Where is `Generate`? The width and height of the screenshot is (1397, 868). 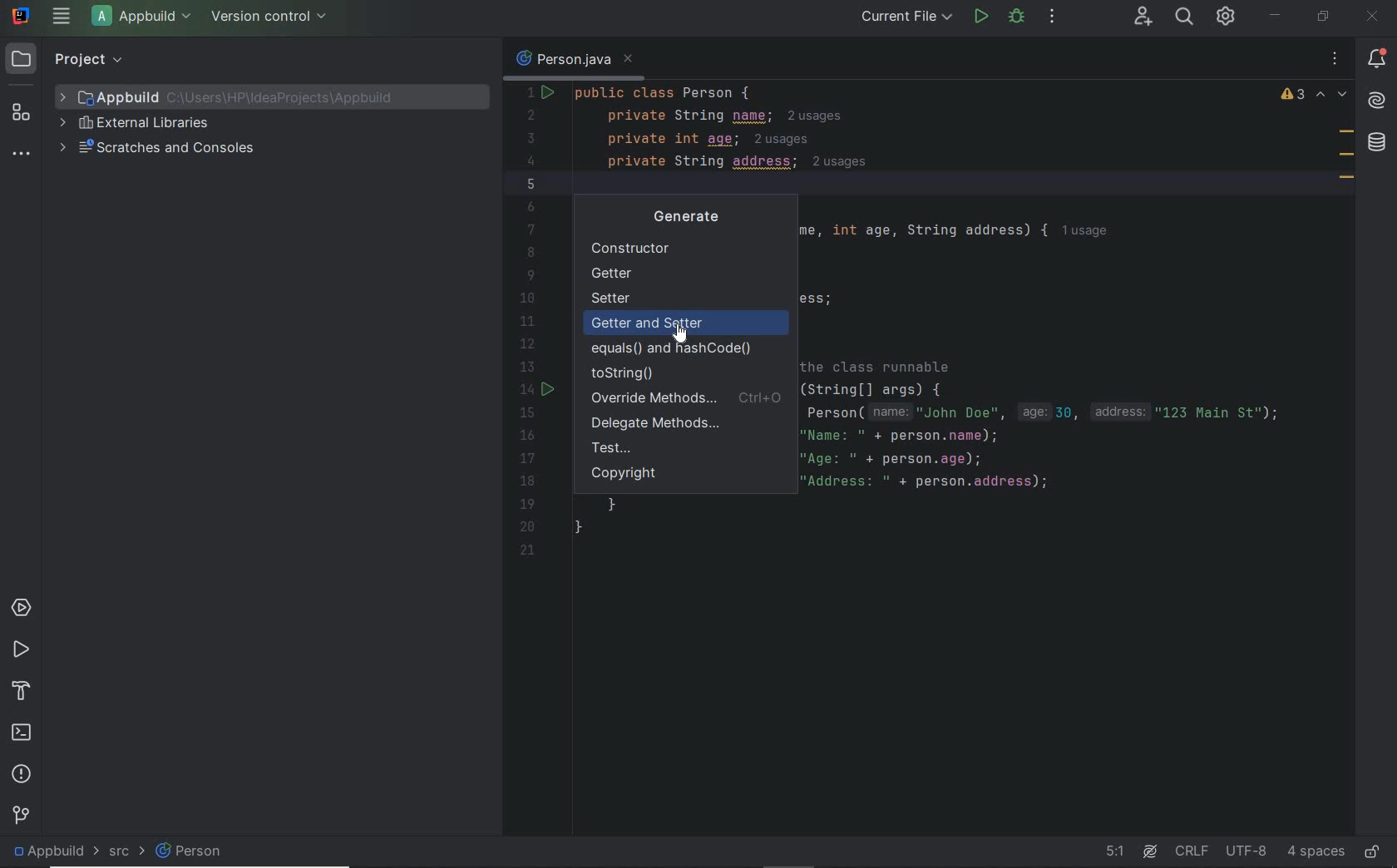 Generate is located at coordinates (699, 214).